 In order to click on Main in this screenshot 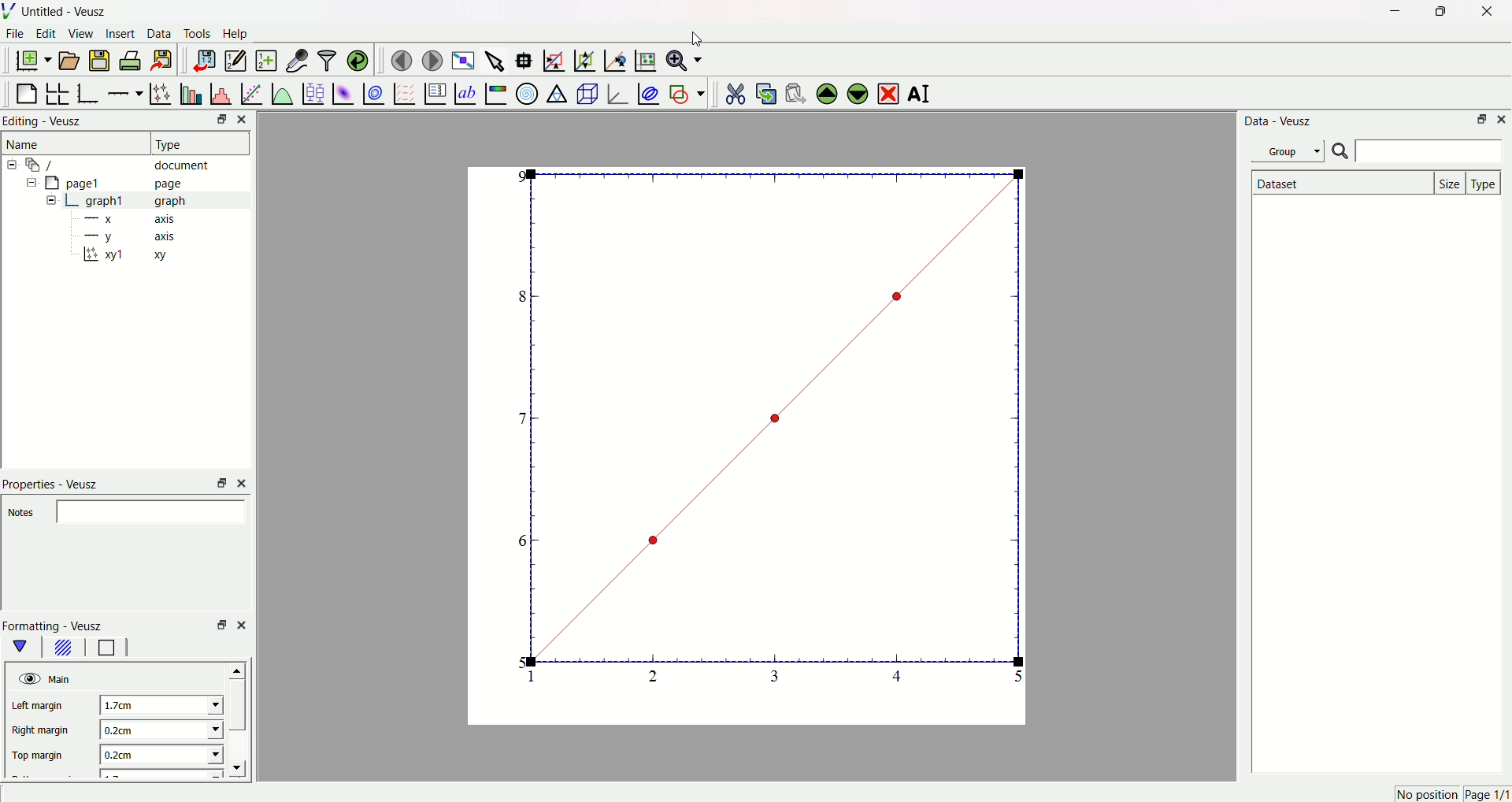, I will do `click(62, 678)`.